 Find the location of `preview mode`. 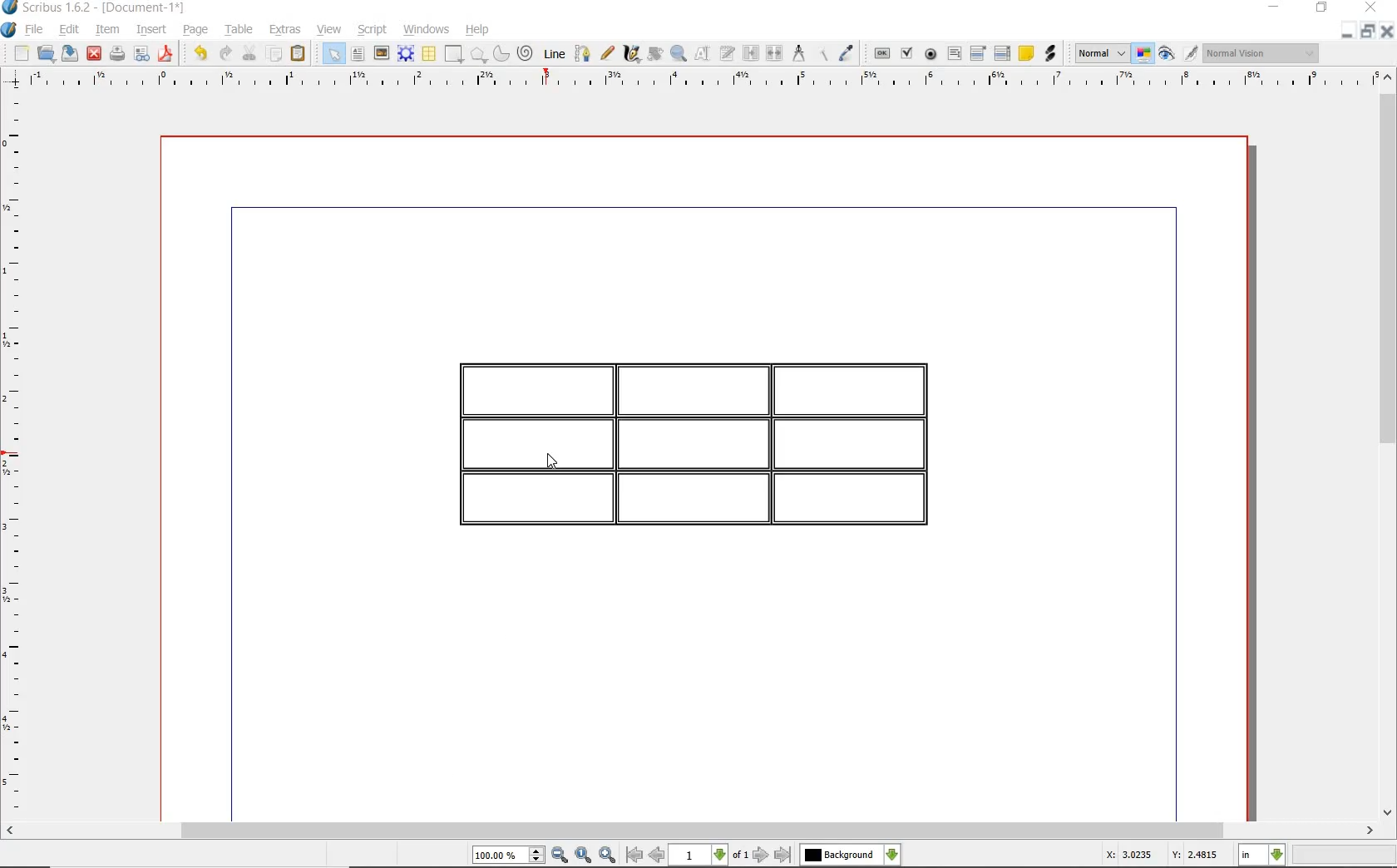

preview mode is located at coordinates (1165, 54).